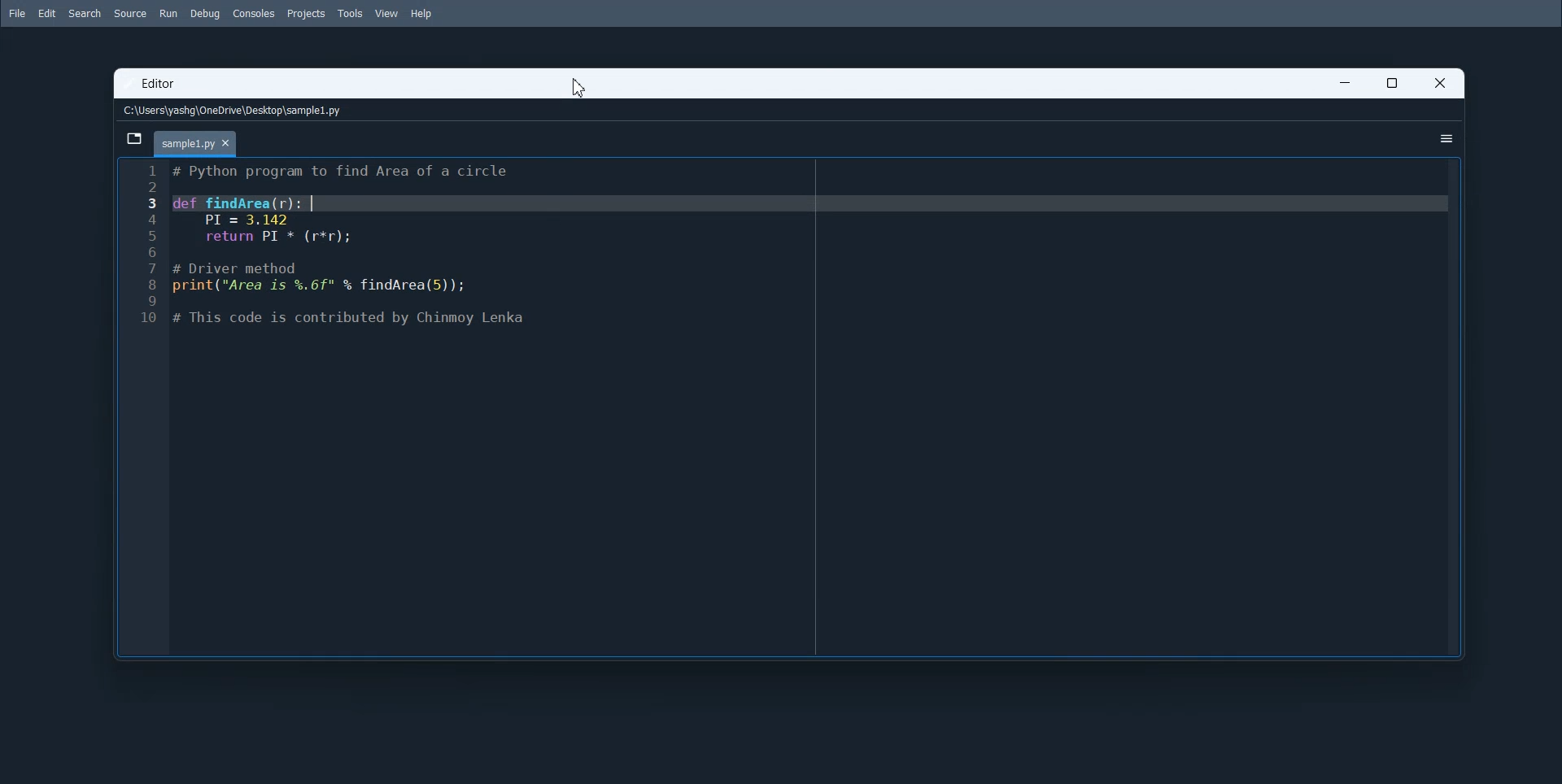  Describe the element at coordinates (15, 13) in the screenshot. I see `File` at that location.